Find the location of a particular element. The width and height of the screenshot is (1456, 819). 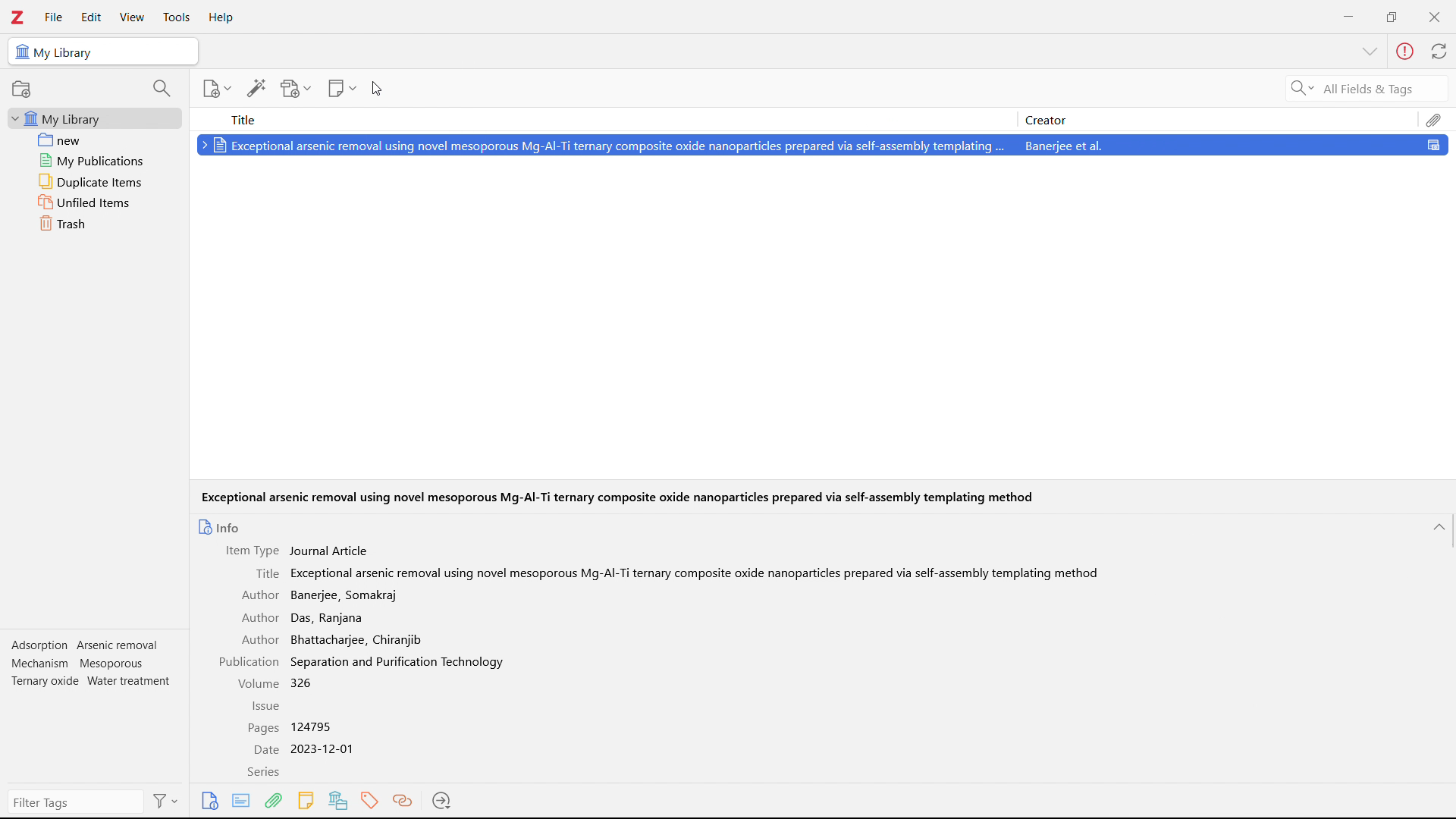

new collection is located at coordinates (21, 89).